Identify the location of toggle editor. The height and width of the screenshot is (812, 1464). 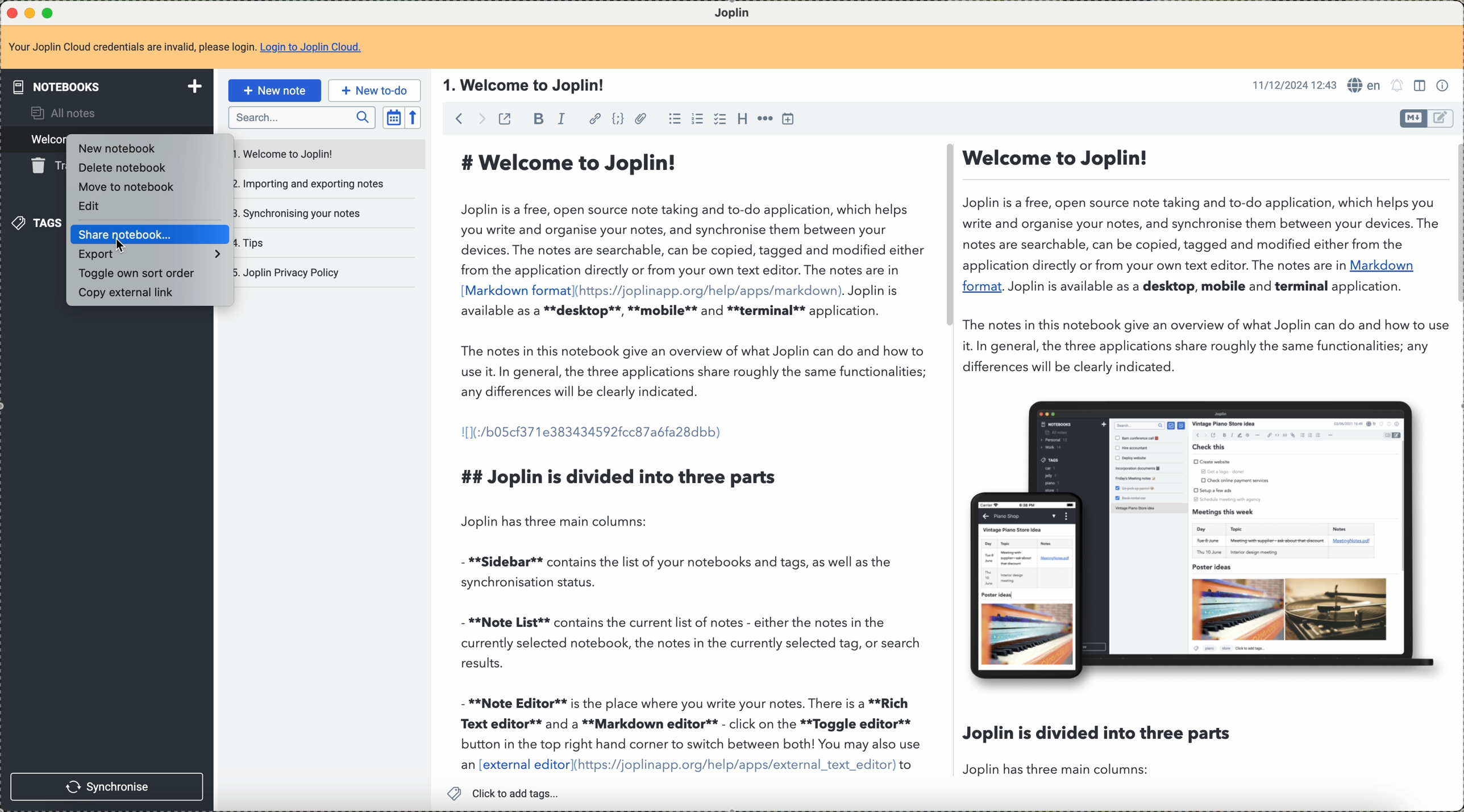
(1442, 118).